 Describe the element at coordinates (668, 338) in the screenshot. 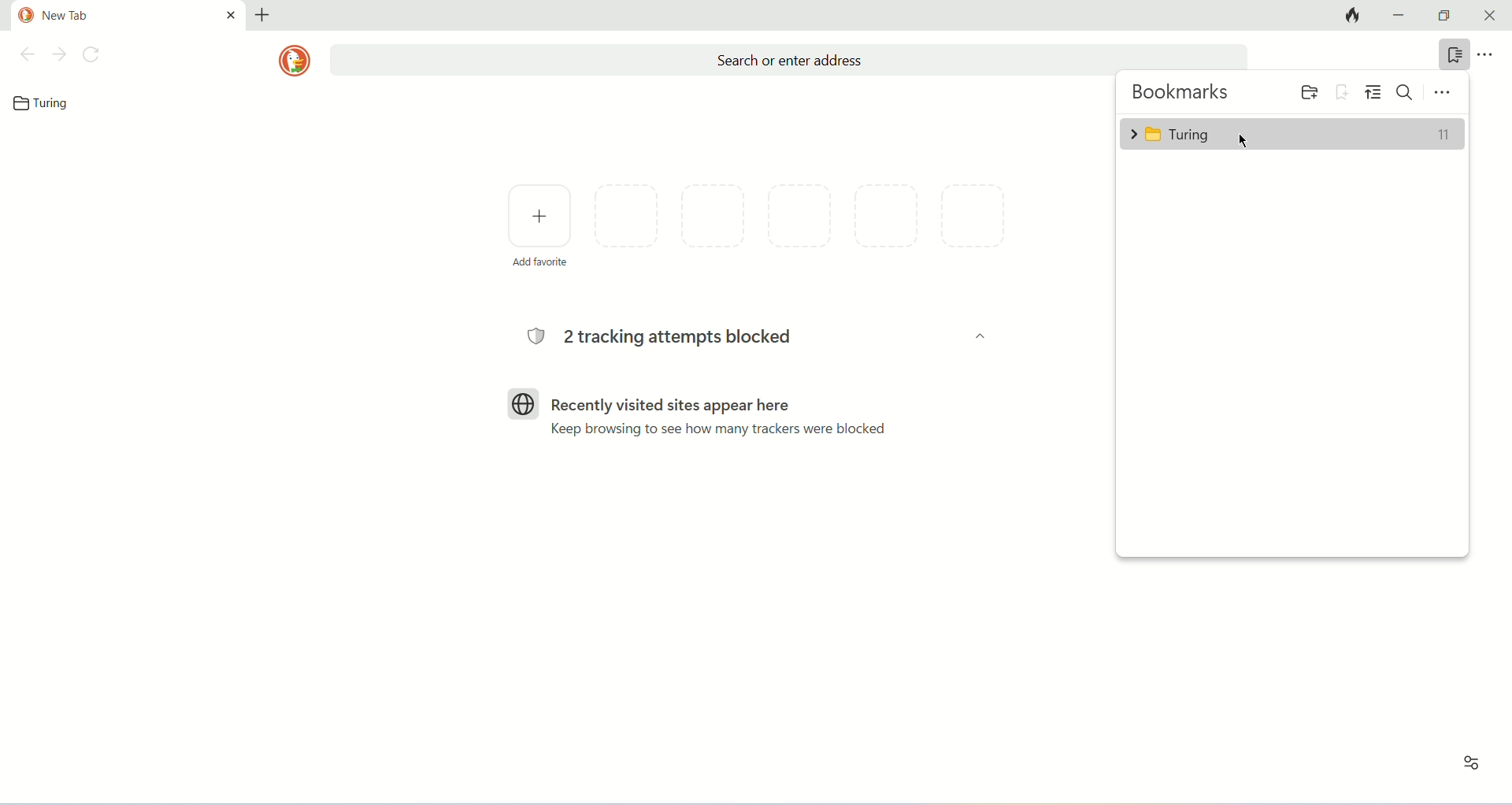

I see ` 2 tracking attempts blocked` at that location.